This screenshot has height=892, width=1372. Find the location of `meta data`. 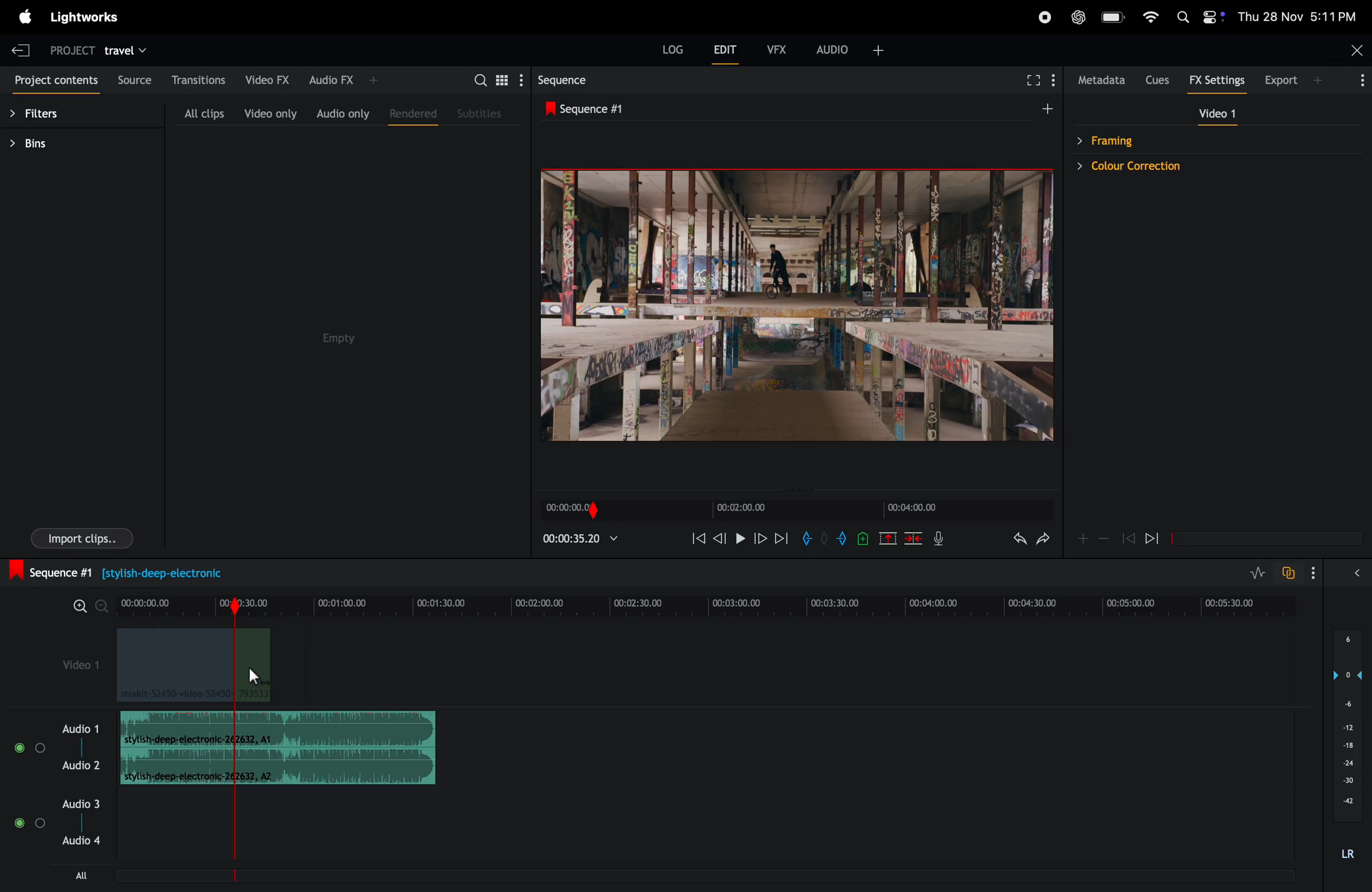

meta data is located at coordinates (1099, 81).